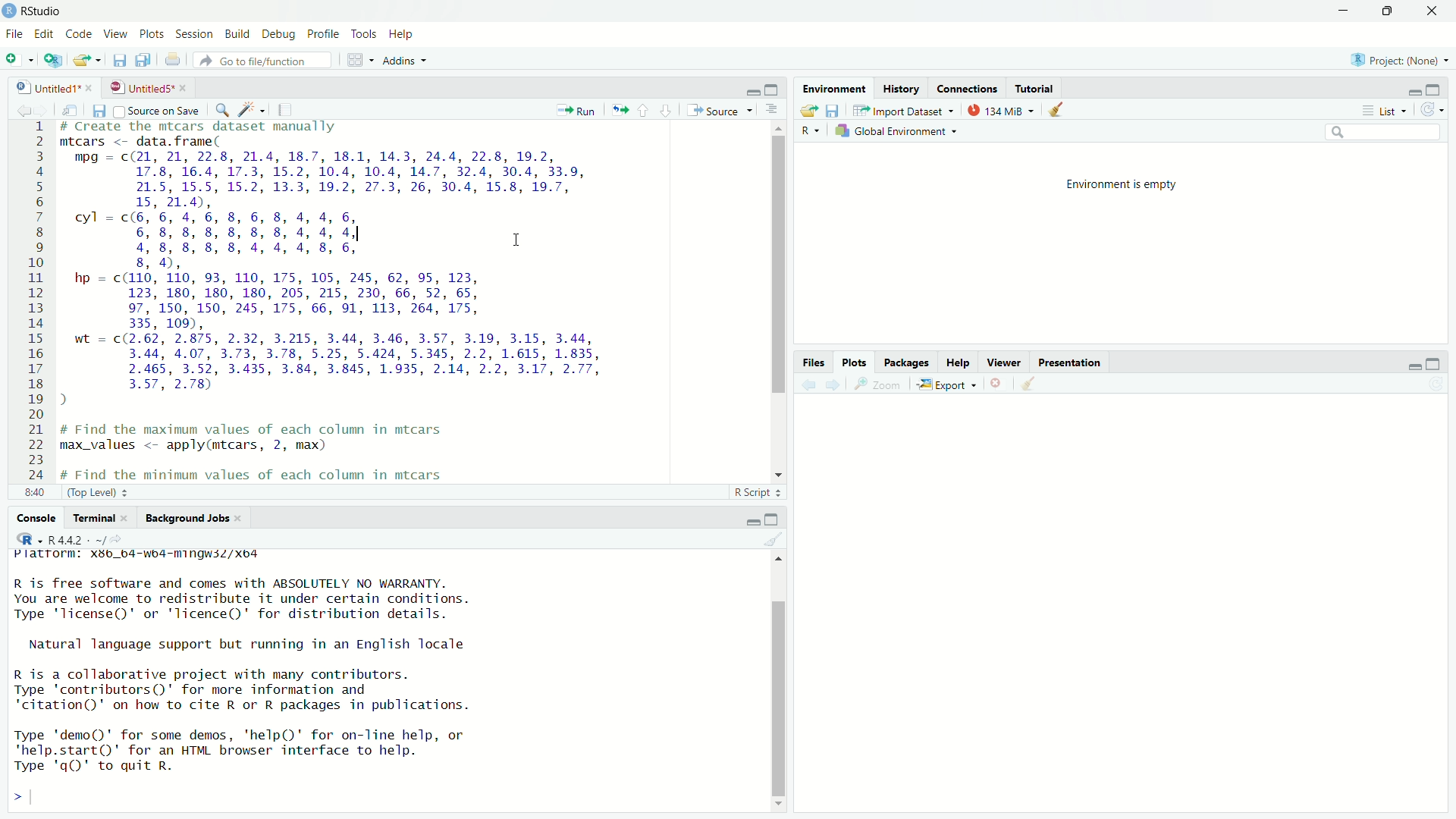 The width and height of the screenshot is (1456, 819). I want to click on scroll bar, so click(773, 681).